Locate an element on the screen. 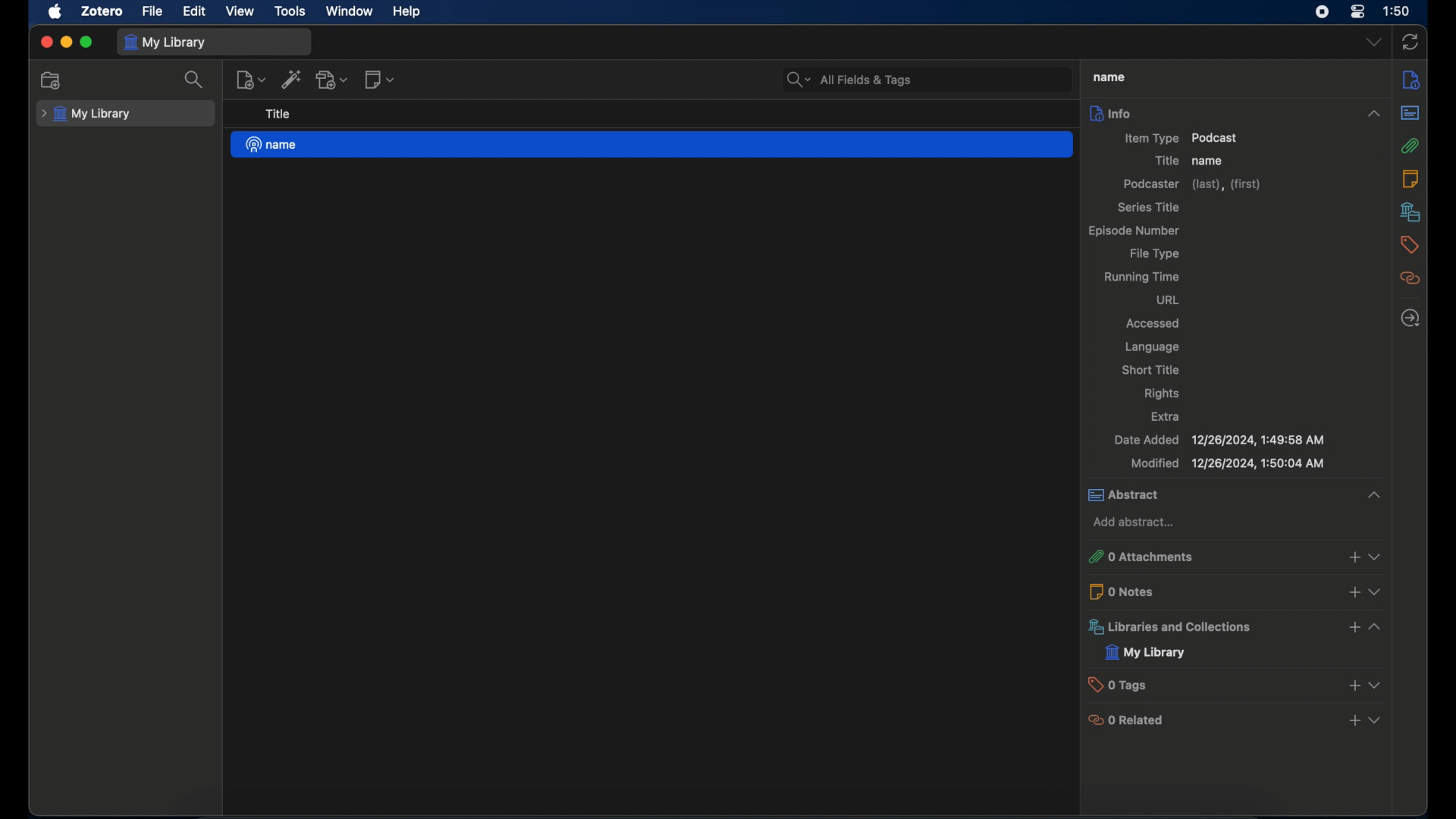  tools is located at coordinates (291, 11).